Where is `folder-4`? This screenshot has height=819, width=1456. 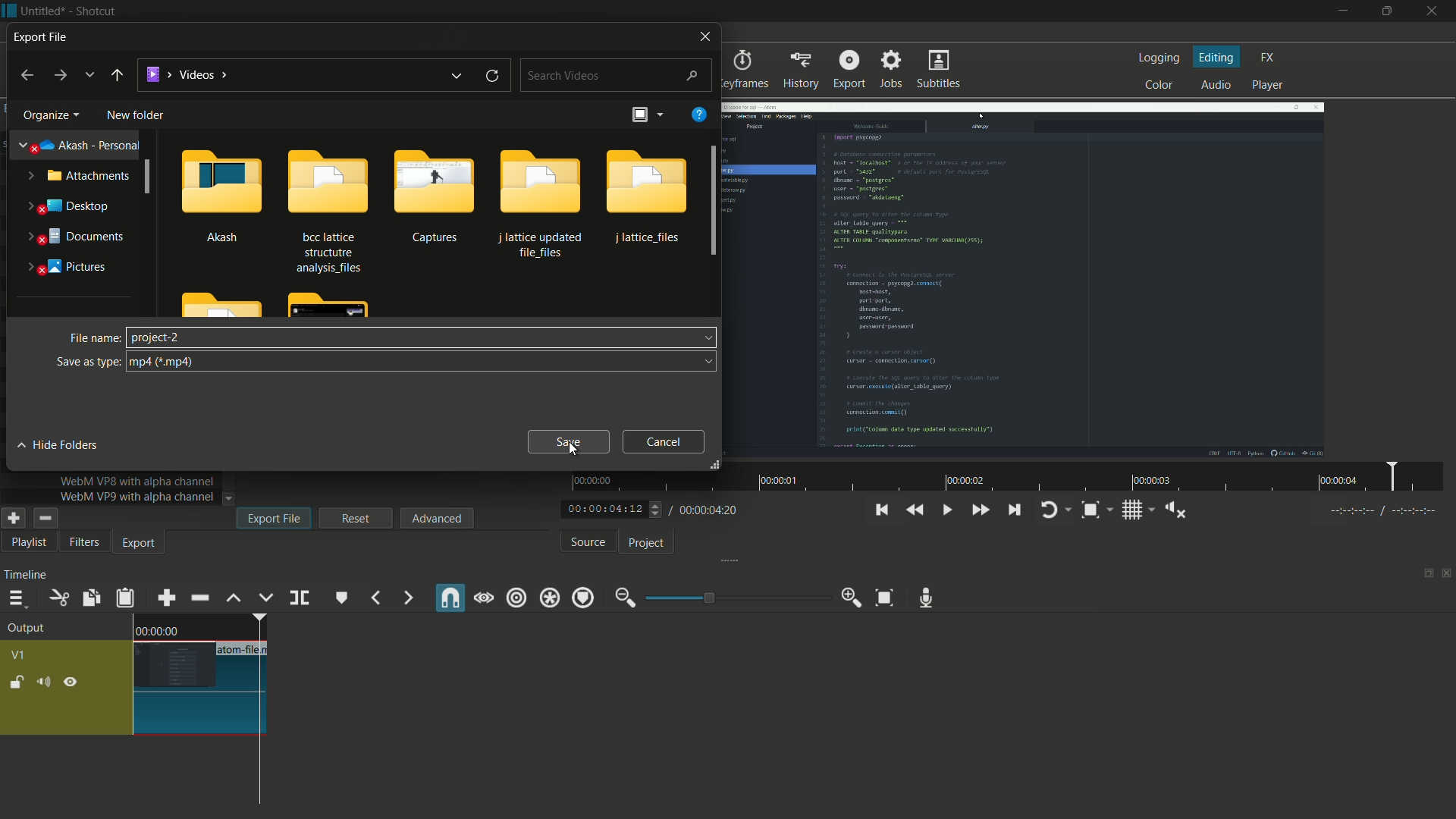
folder-4 is located at coordinates (538, 202).